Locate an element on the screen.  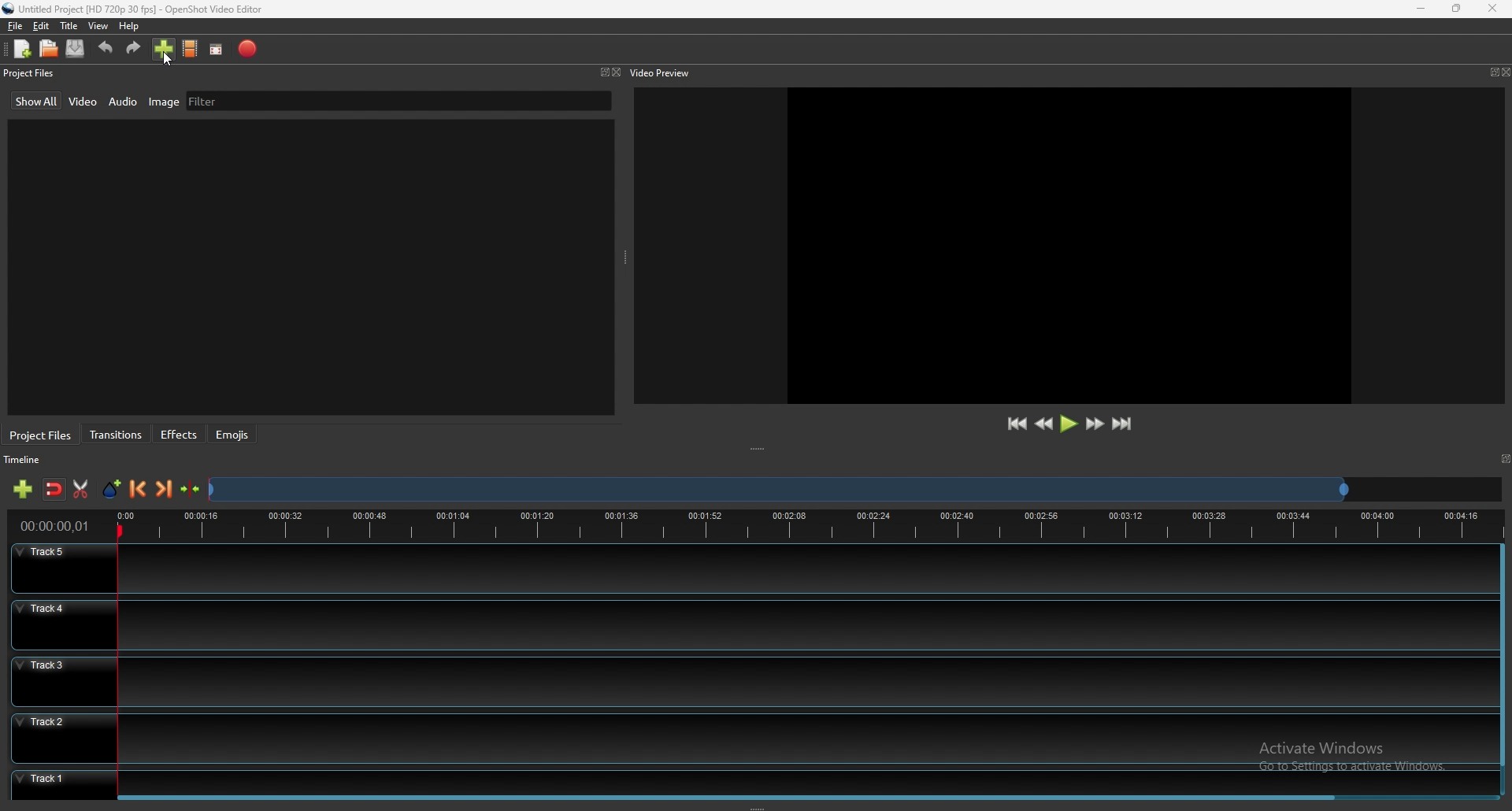
image is located at coordinates (164, 101).